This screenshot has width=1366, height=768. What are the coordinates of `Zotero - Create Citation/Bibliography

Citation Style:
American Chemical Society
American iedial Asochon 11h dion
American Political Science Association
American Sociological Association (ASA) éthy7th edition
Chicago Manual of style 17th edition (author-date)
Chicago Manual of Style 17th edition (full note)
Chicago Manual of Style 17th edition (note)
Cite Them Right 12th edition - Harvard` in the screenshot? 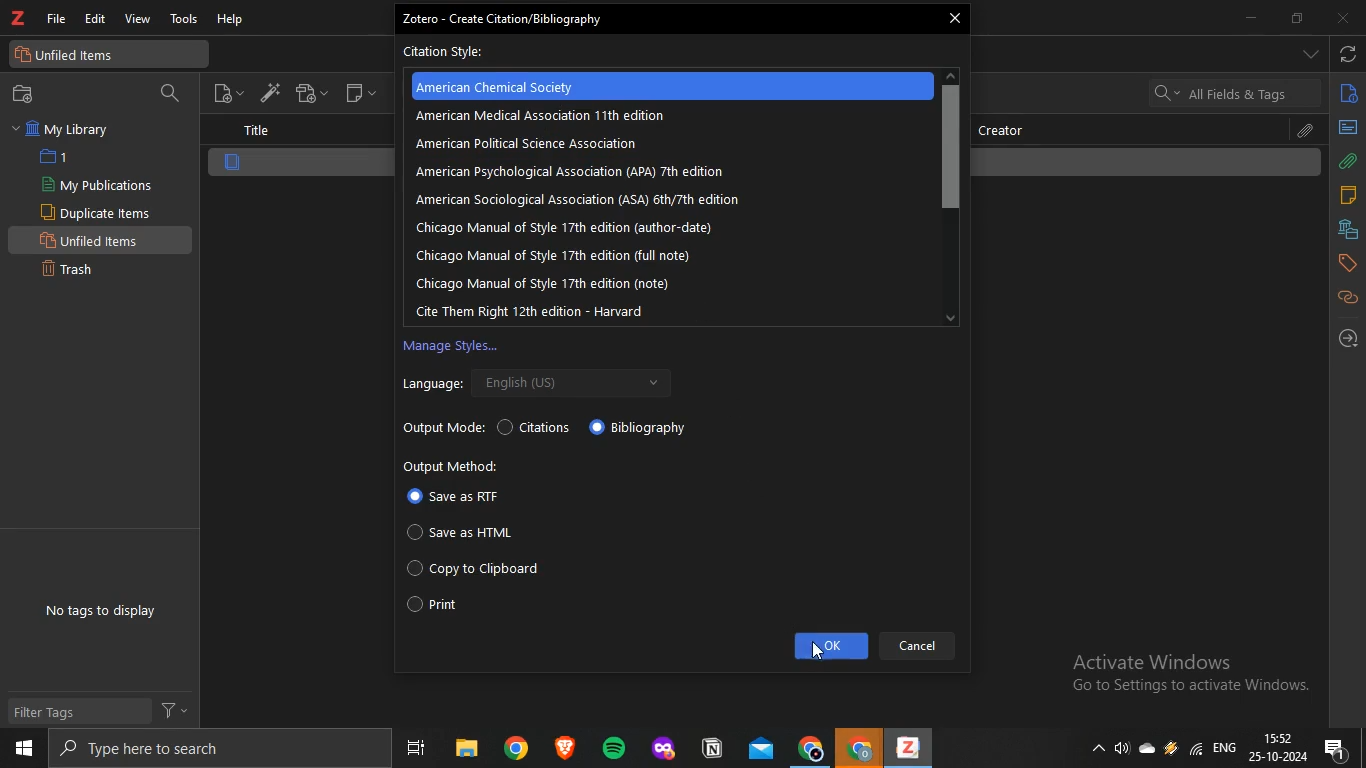 It's located at (667, 166).